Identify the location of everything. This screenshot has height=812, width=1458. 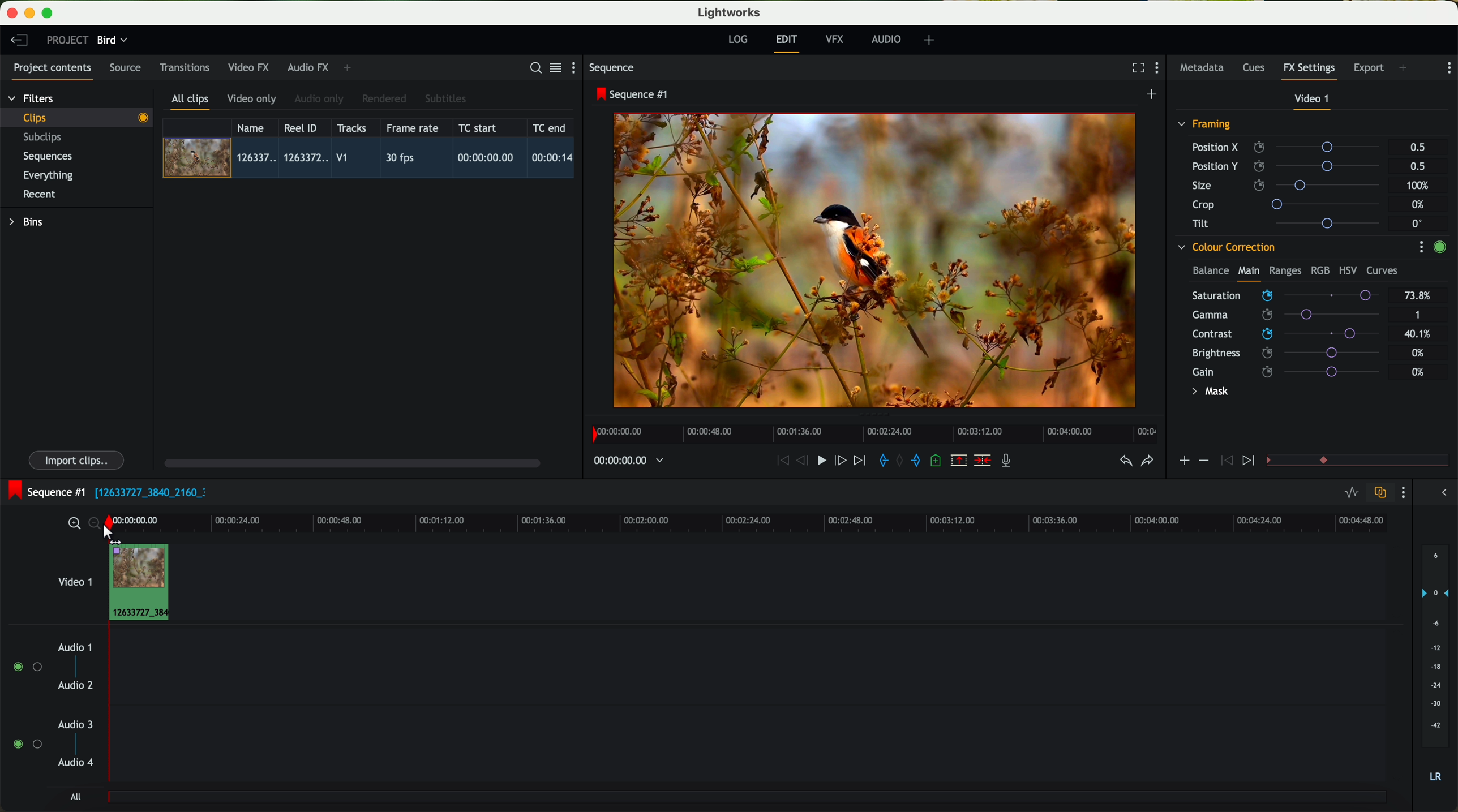
(49, 175).